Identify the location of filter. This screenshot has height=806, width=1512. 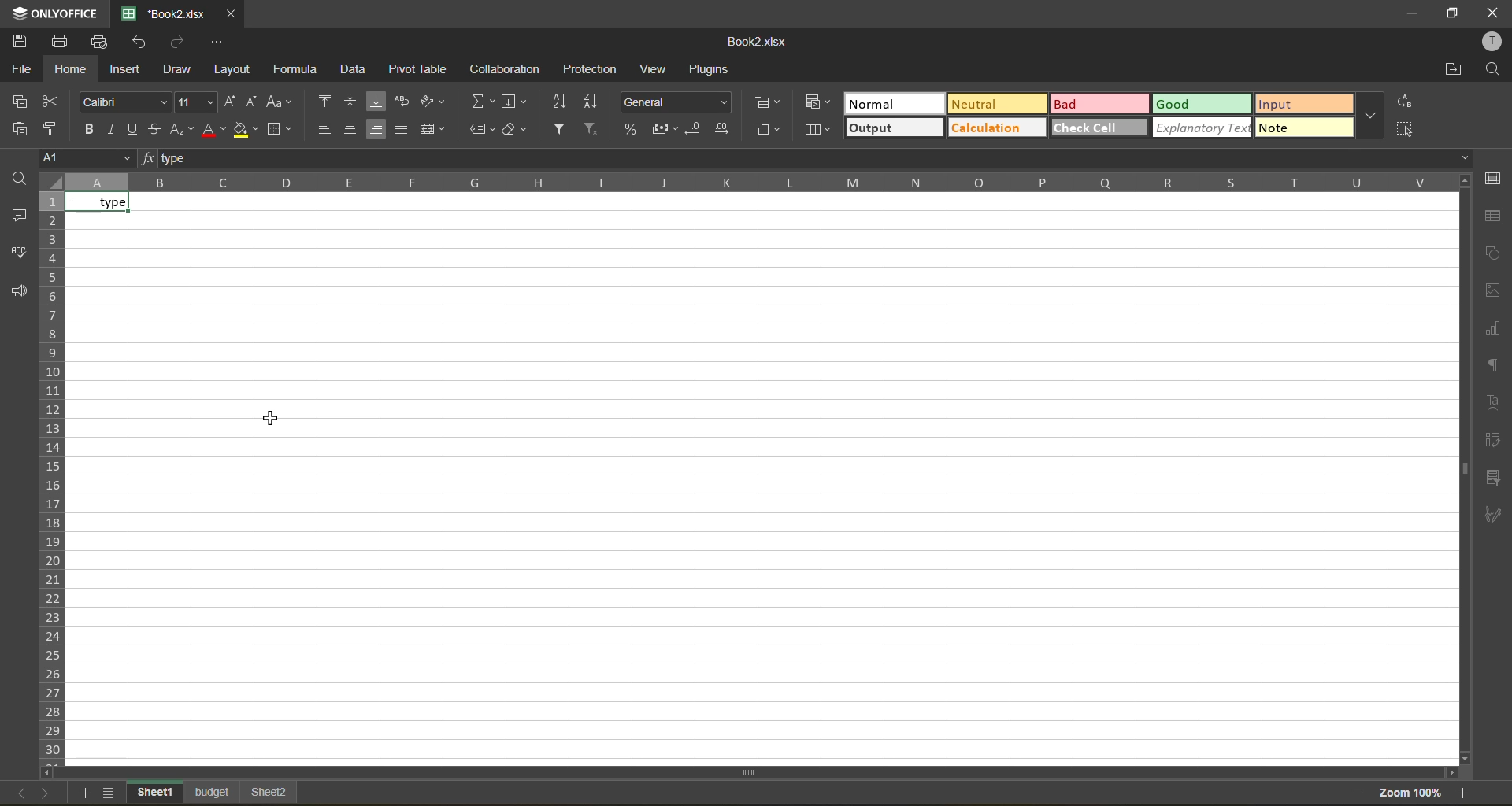
(561, 130).